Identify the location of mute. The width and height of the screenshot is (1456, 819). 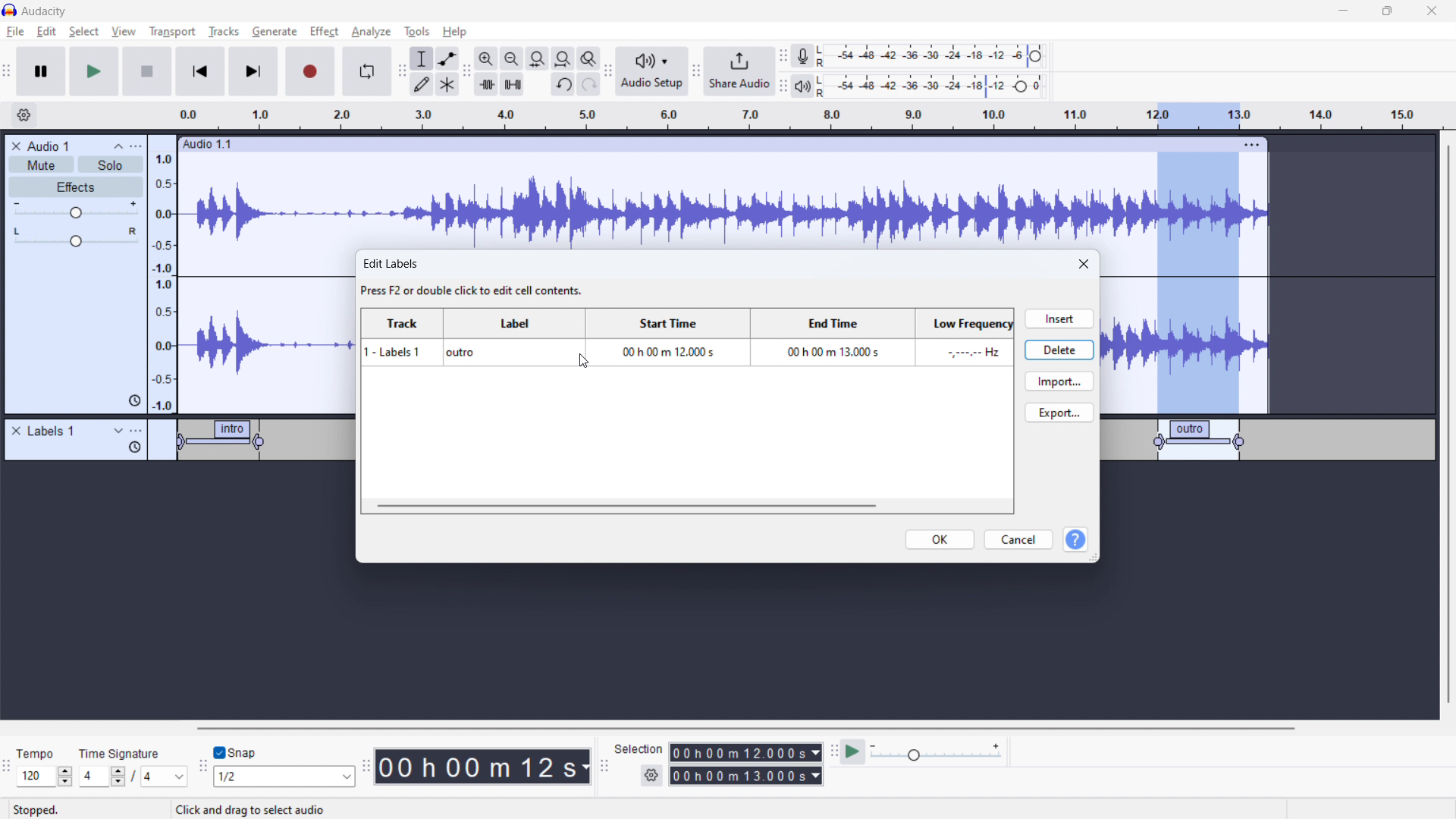
(41, 165).